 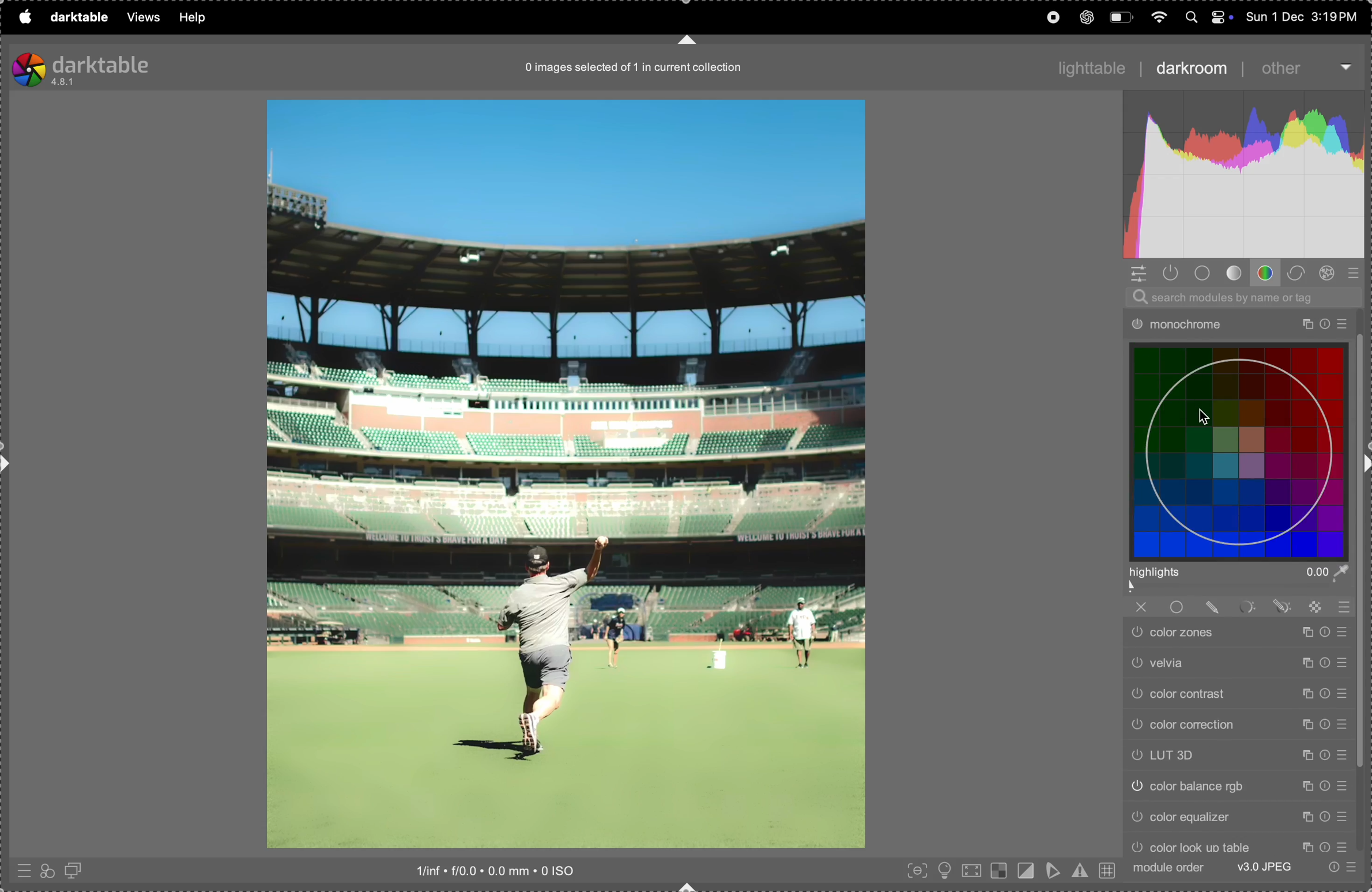 I want to click on darkroom, so click(x=1190, y=67).